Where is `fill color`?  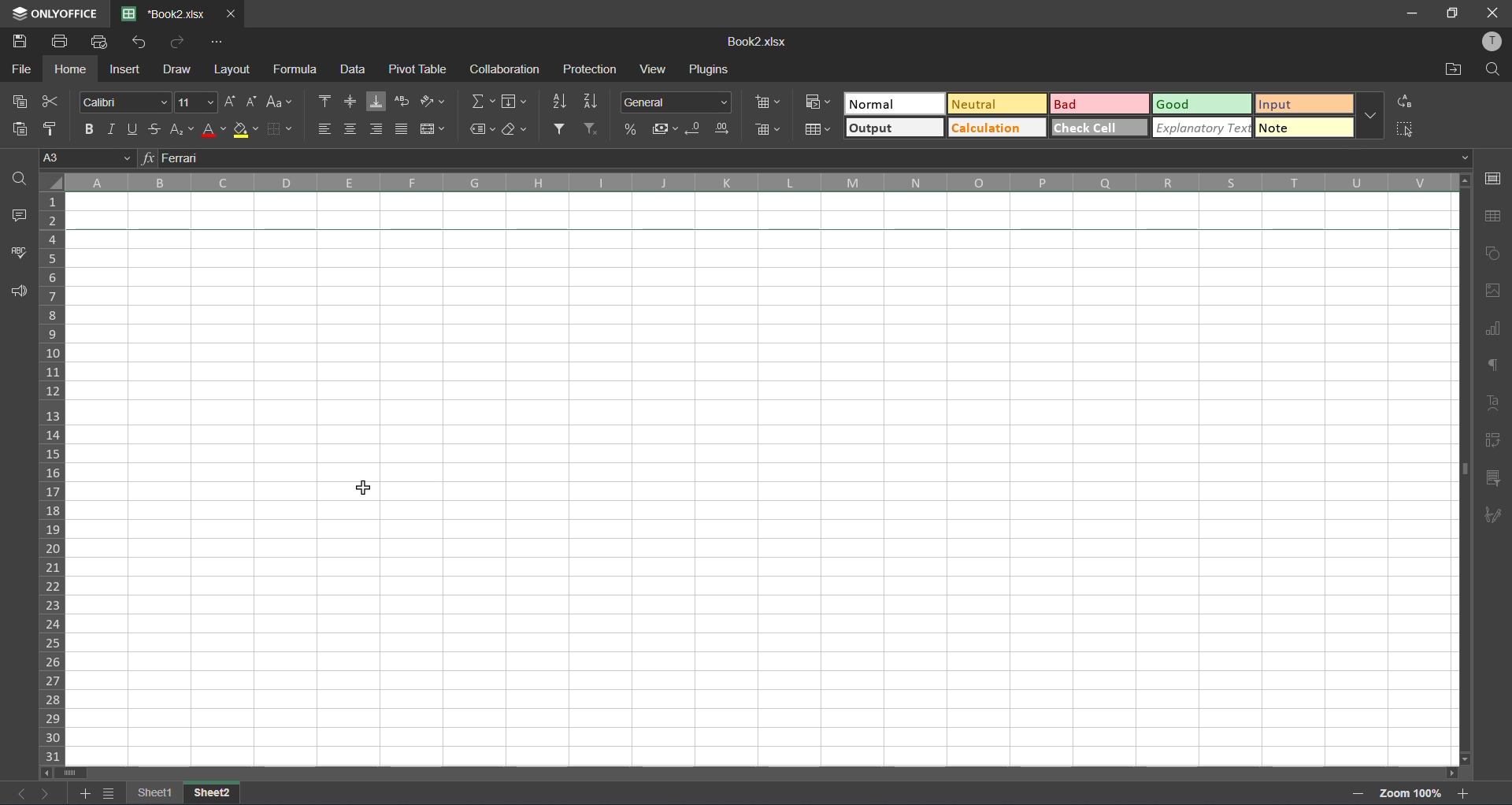
fill color is located at coordinates (247, 130).